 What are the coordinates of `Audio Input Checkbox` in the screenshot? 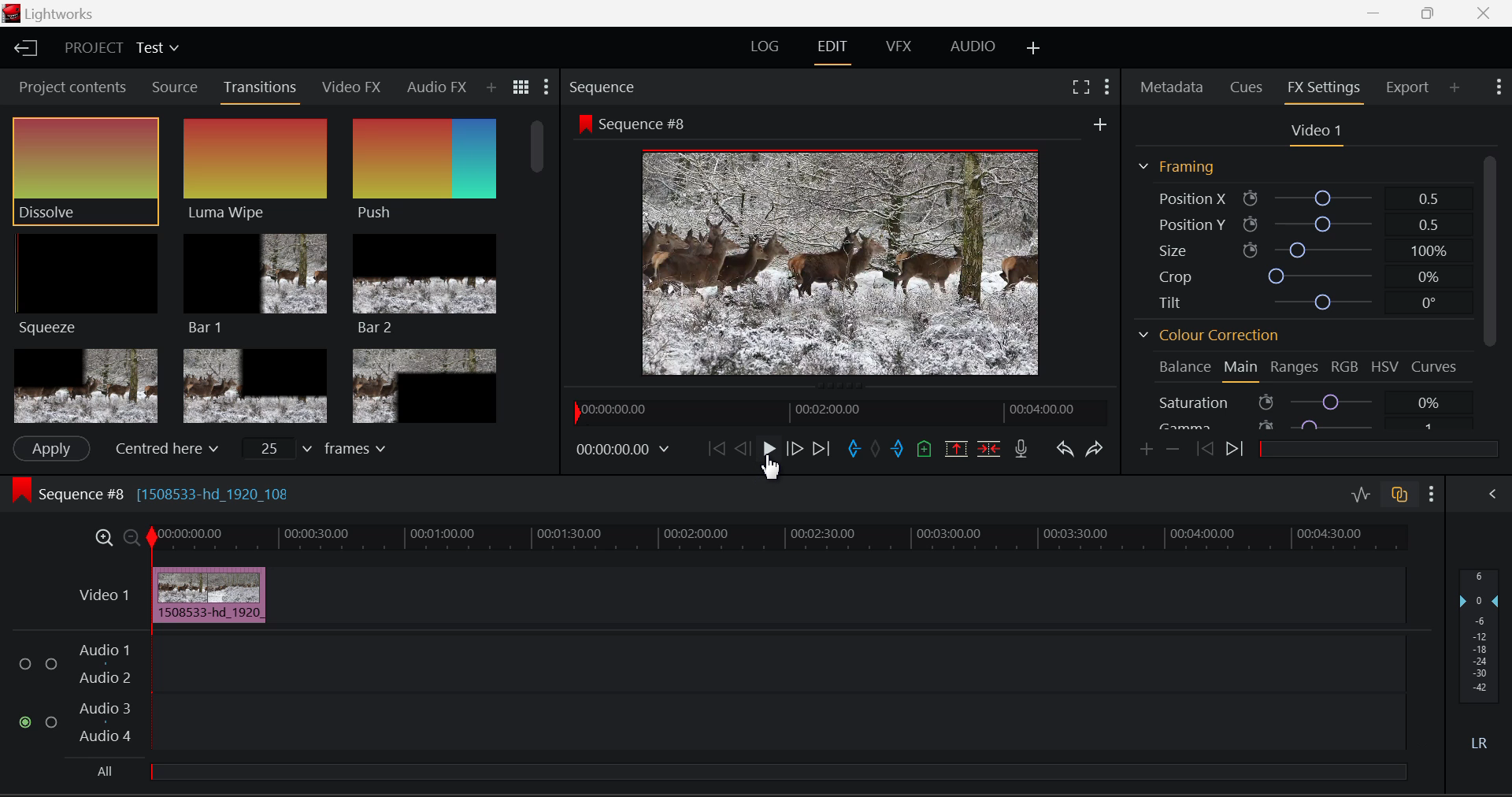 It's located at (27, 723).